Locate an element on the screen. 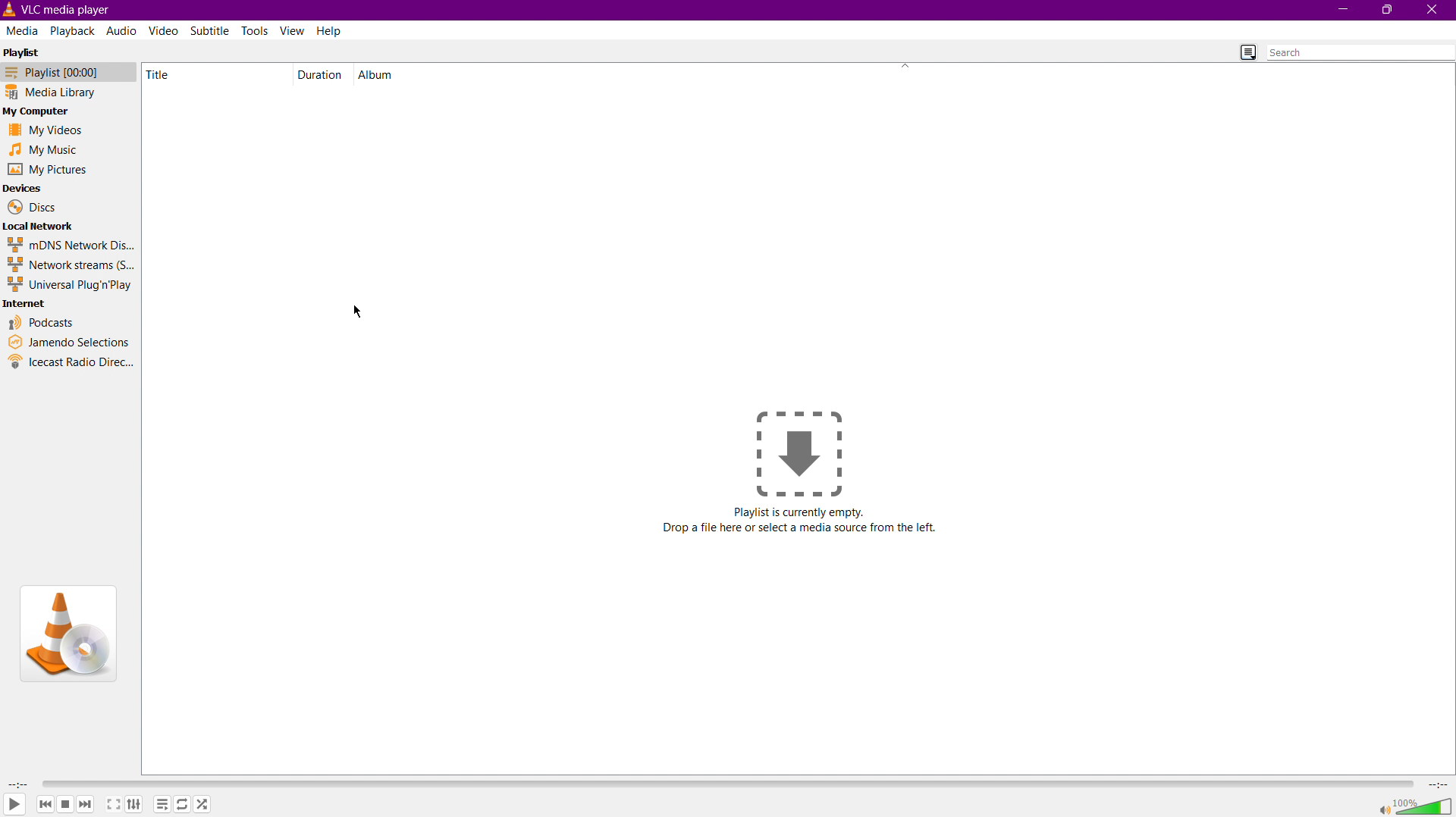  My Computer is located at coordinates (42, 110).